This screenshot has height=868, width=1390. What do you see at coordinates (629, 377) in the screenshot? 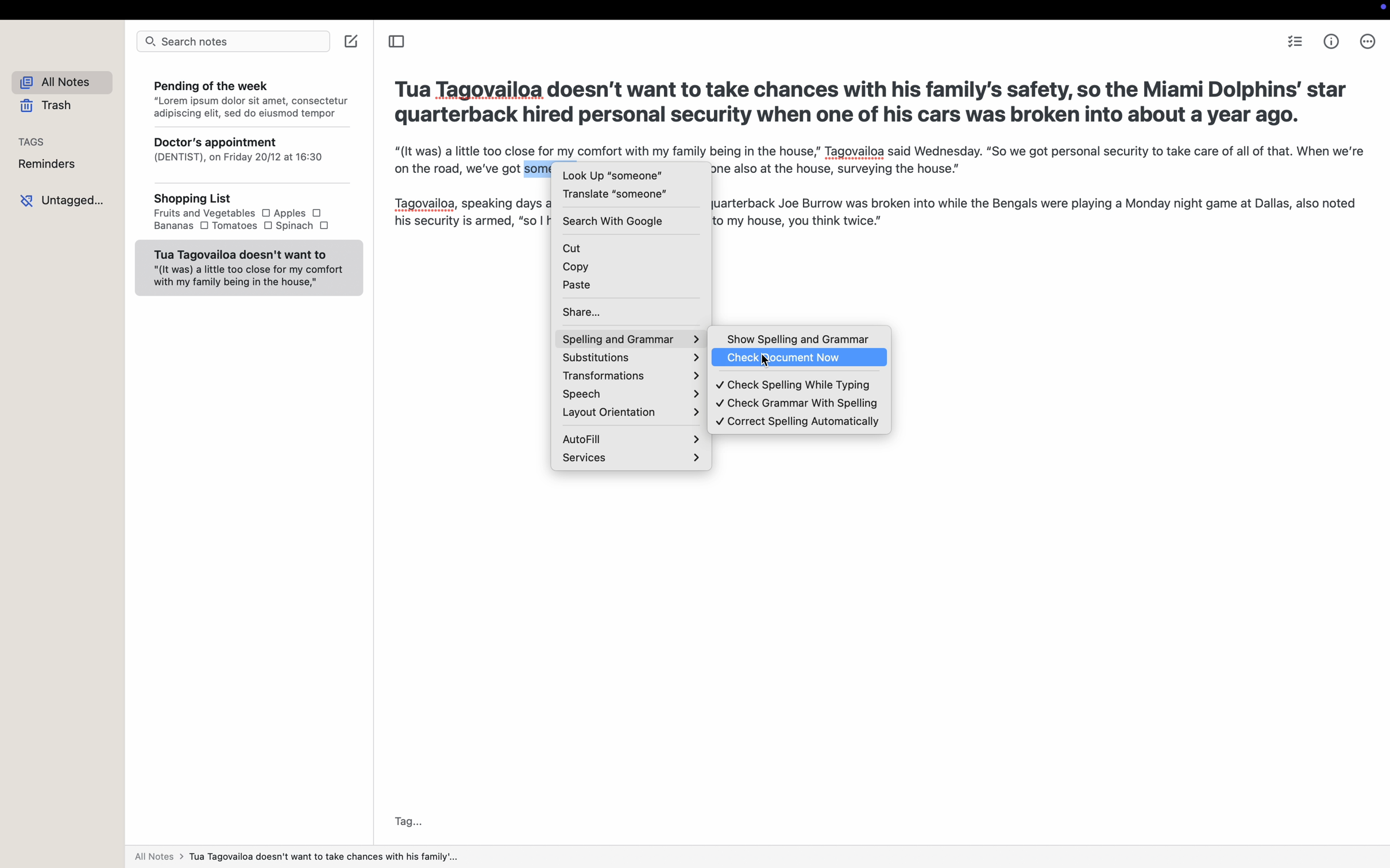
I see `transformations` at bounding box center [629, 377].